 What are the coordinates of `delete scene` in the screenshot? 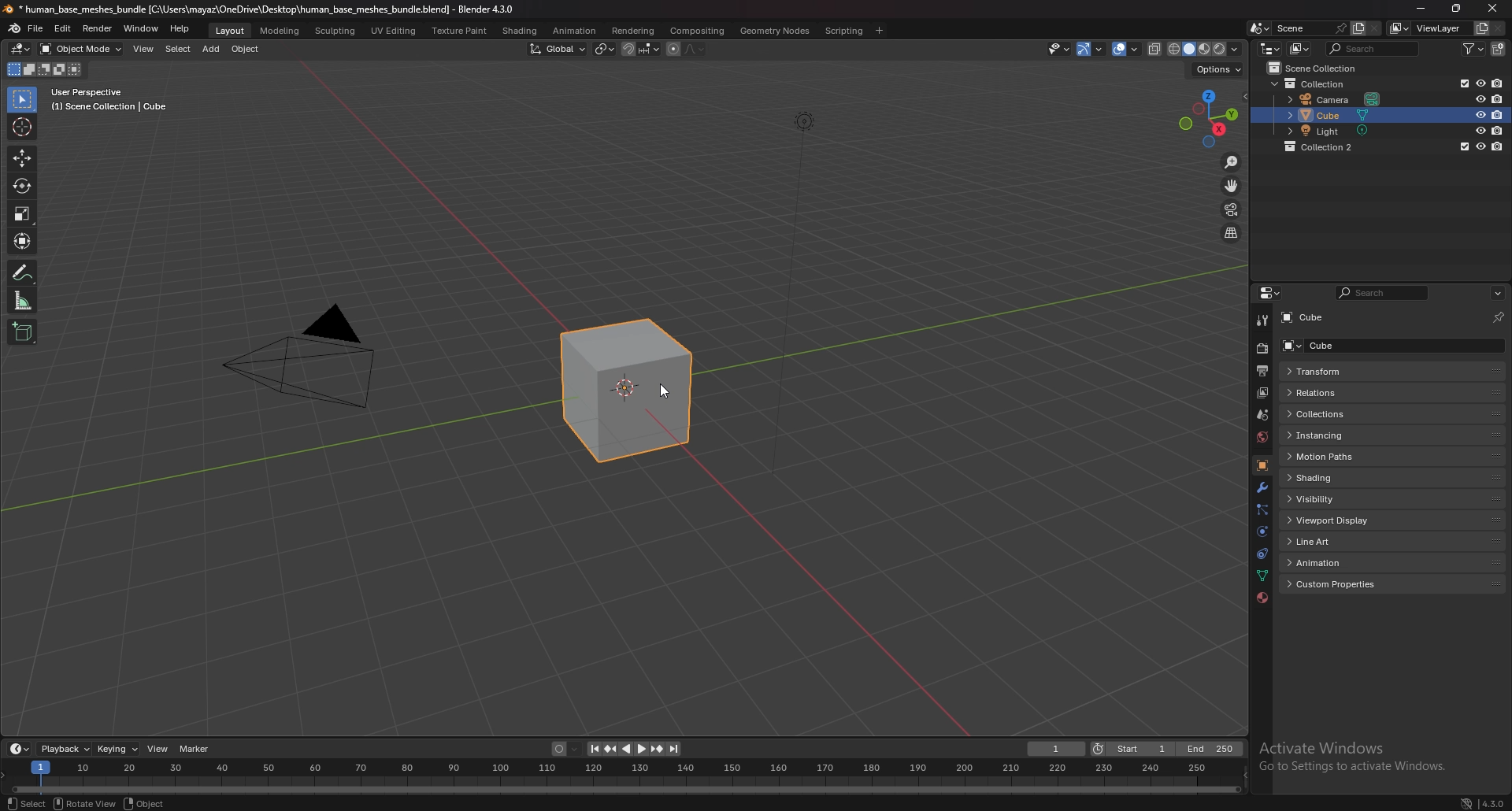 It's located at (1375, 28).